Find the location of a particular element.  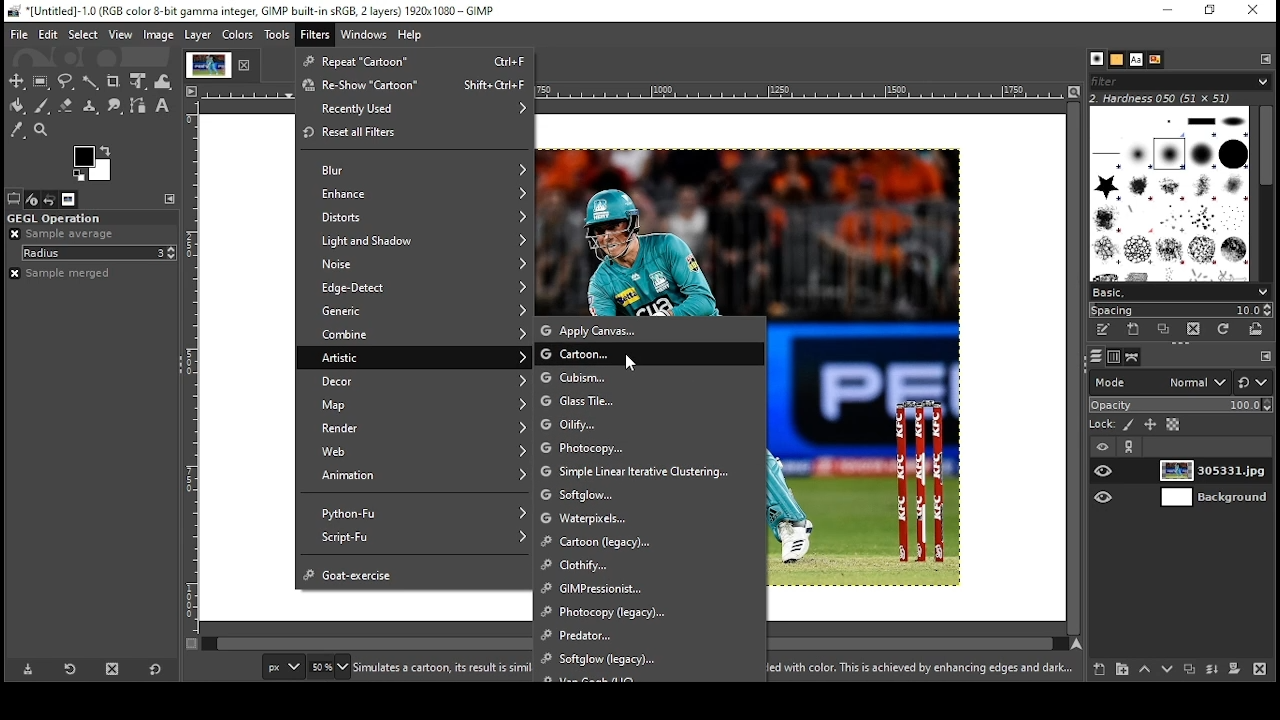

free selection tool is located at coordinates (67, 81).